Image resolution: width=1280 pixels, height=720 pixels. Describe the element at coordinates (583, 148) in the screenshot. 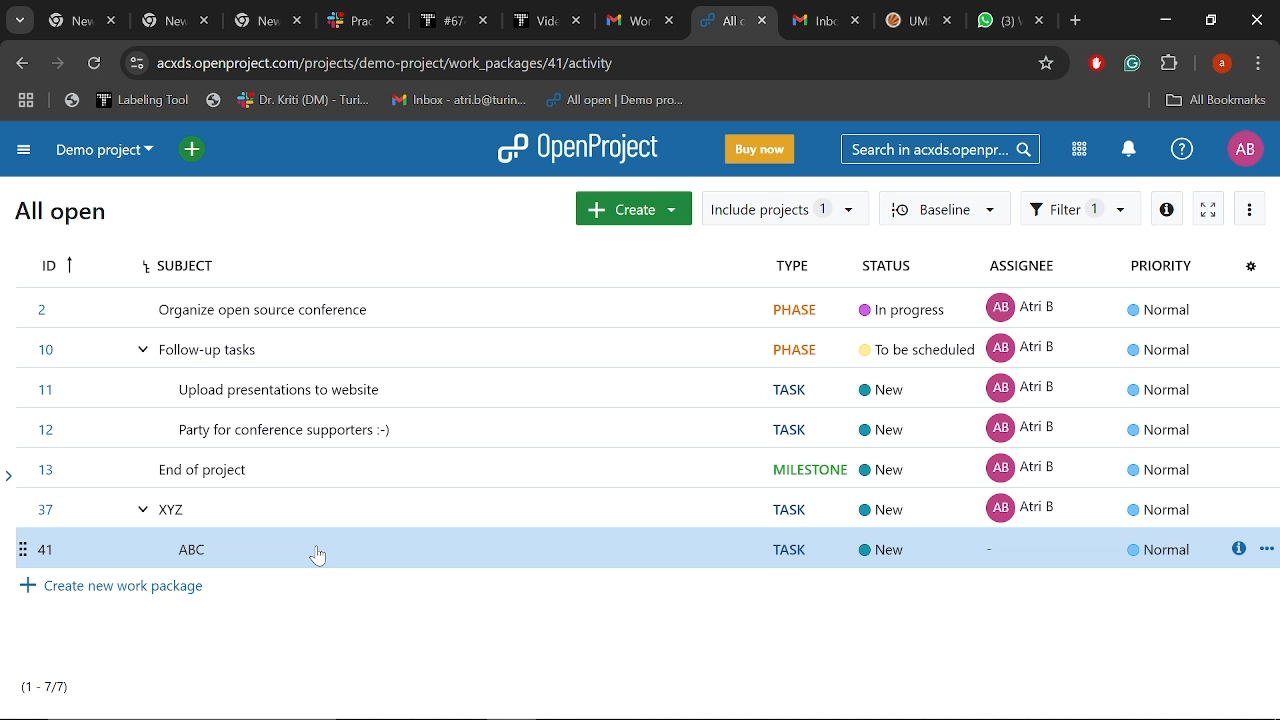

I see `Open project logo` at that location.